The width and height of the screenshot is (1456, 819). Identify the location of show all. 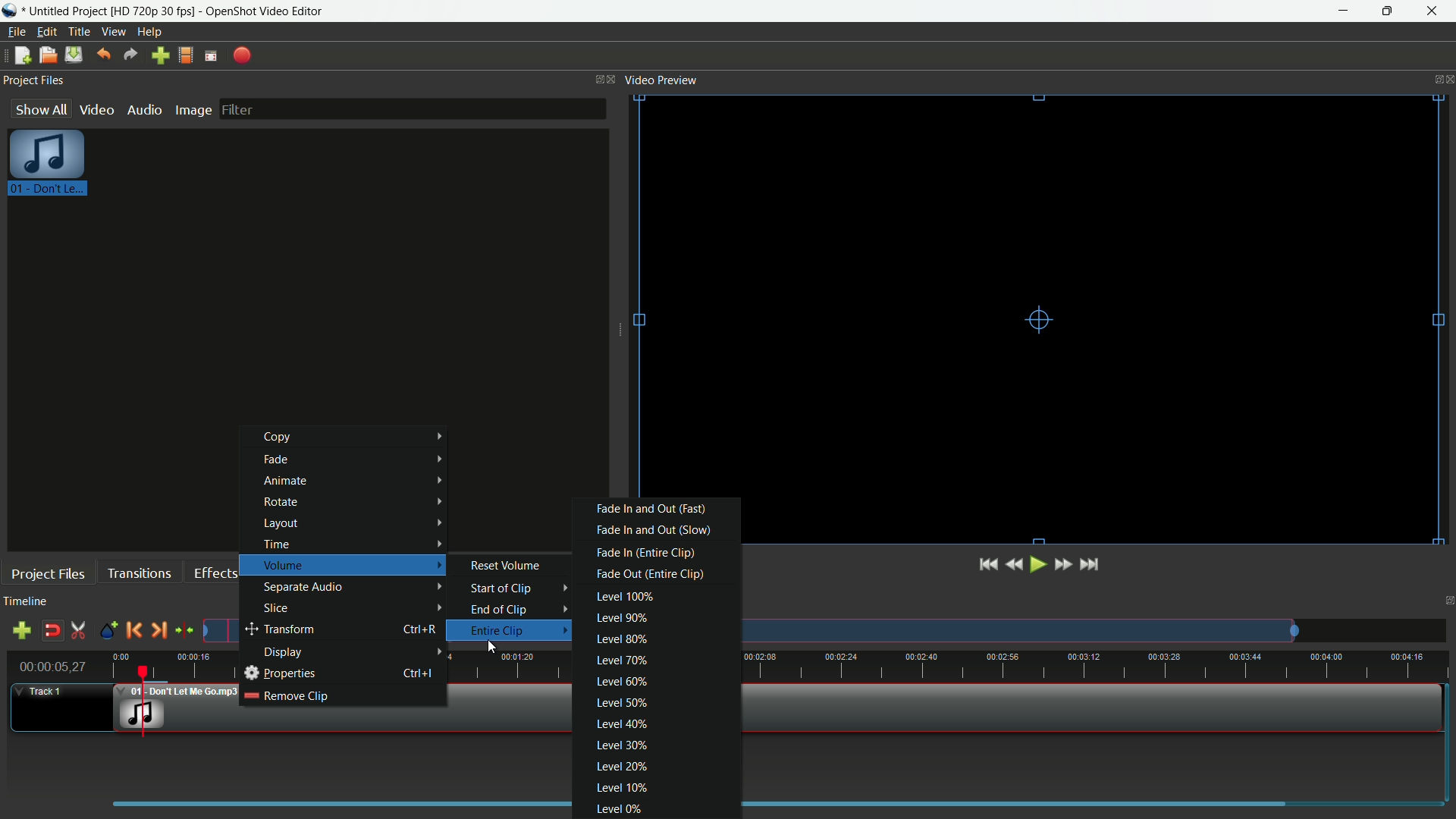
(40, 108).